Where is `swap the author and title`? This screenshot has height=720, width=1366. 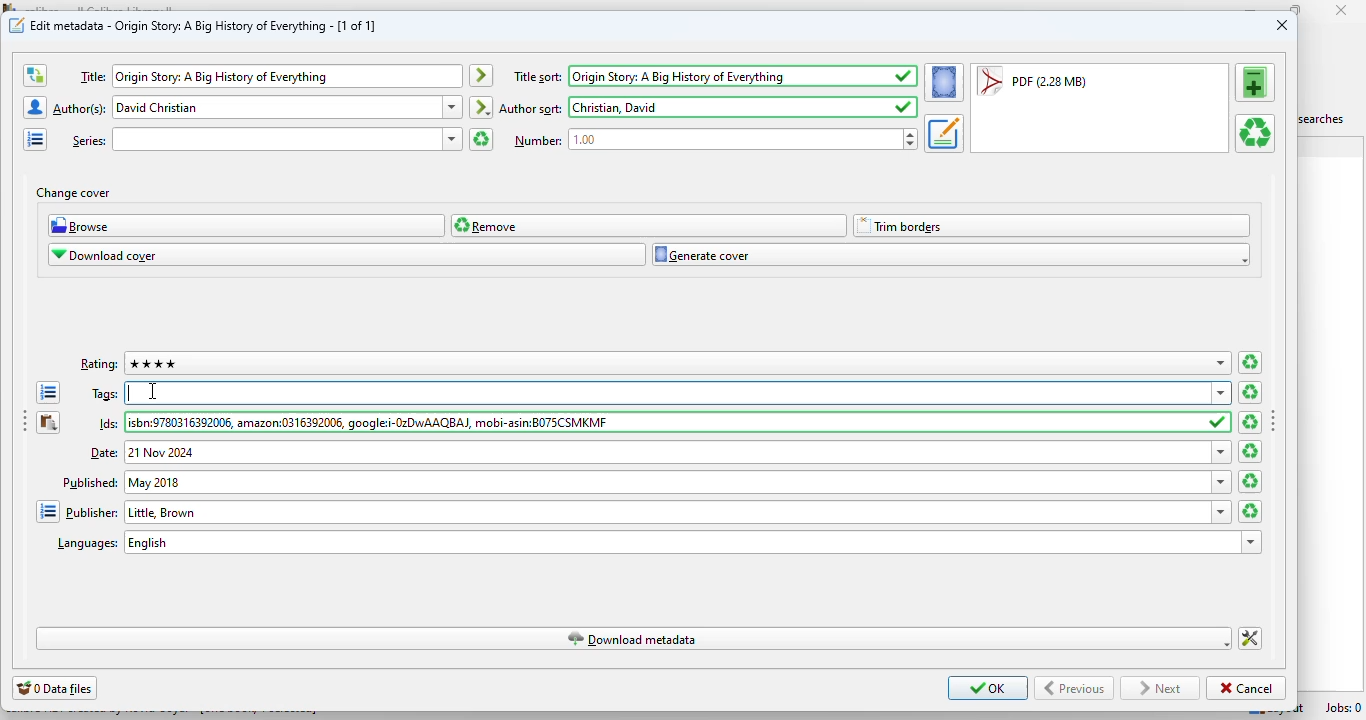
swap the author and title is located at coordinates (34, 76).